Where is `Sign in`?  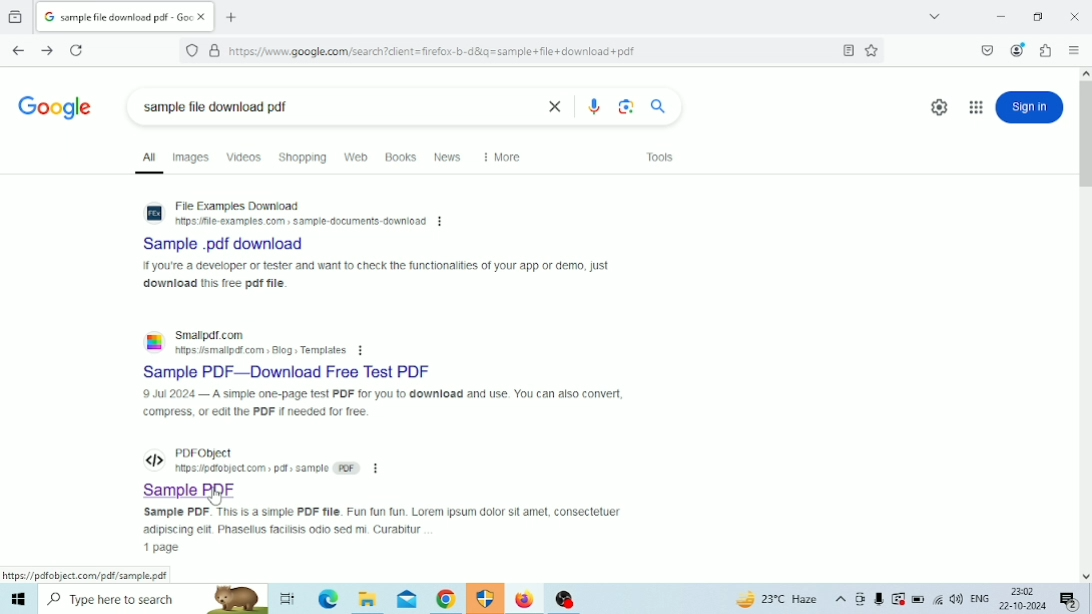
Sign in is located at coordinates (1029, 107).